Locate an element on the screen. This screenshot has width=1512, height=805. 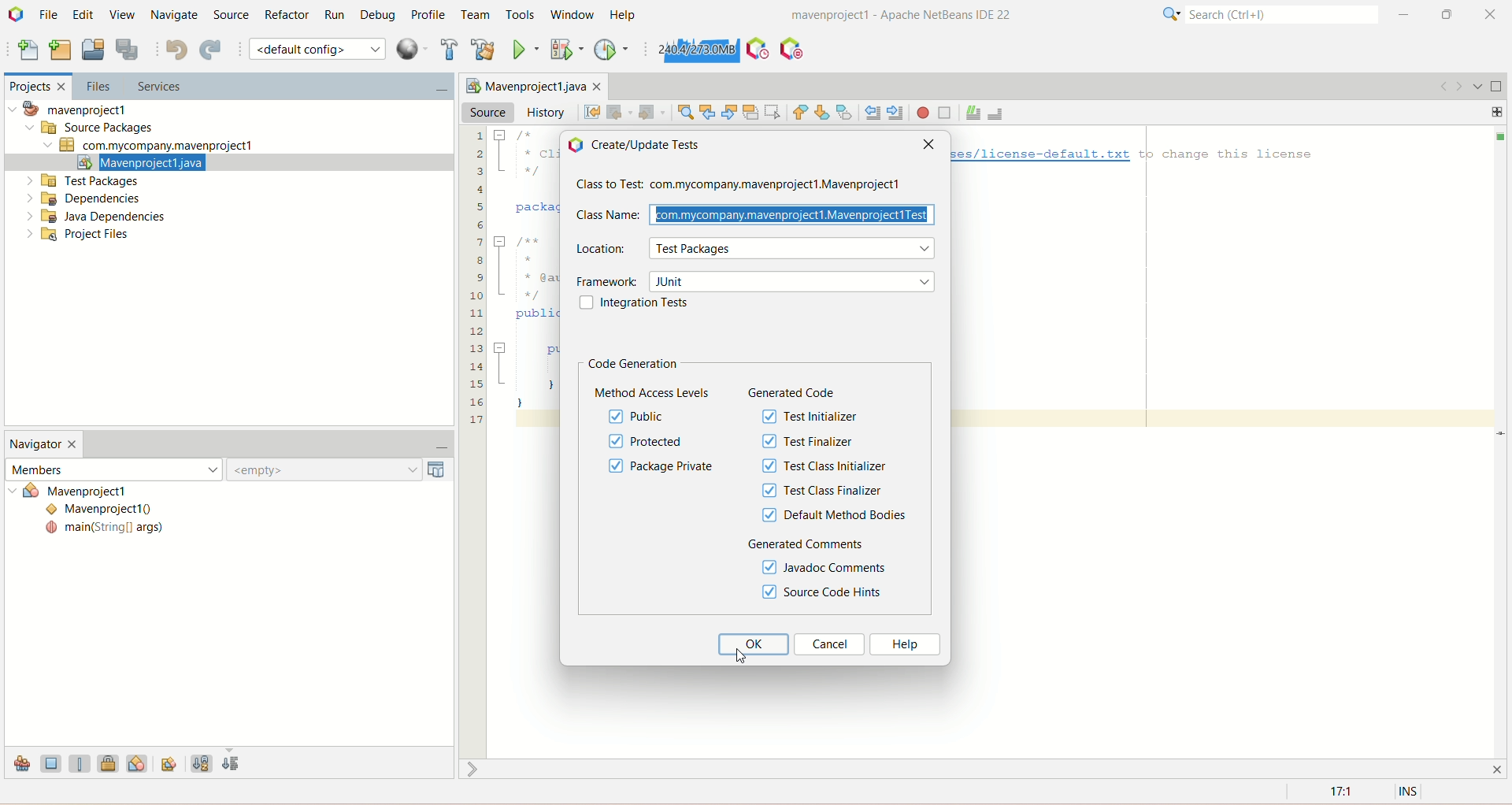
uncomment is located at coordinates (998, 115).